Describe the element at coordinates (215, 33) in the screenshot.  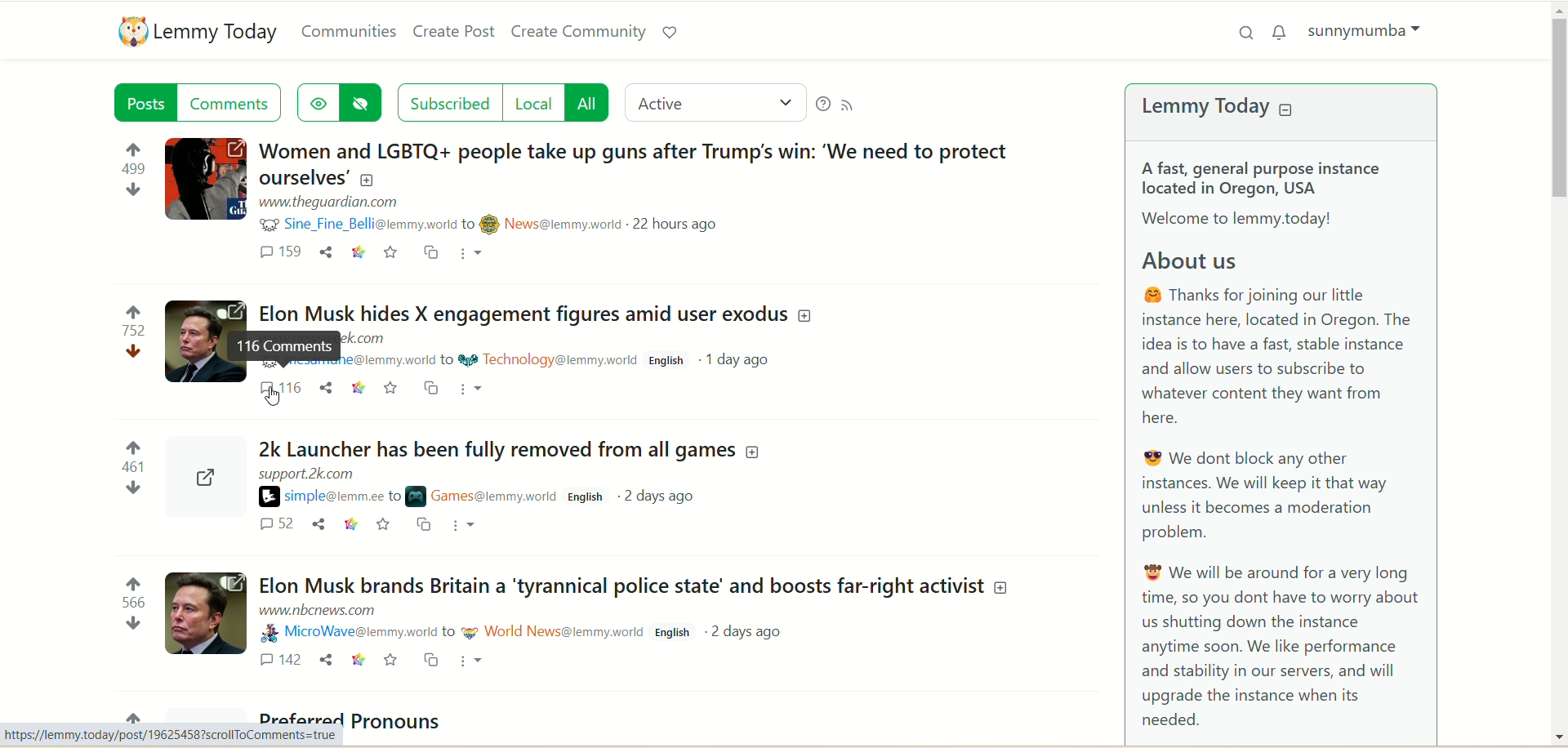
I see `lemmy today` at that location.